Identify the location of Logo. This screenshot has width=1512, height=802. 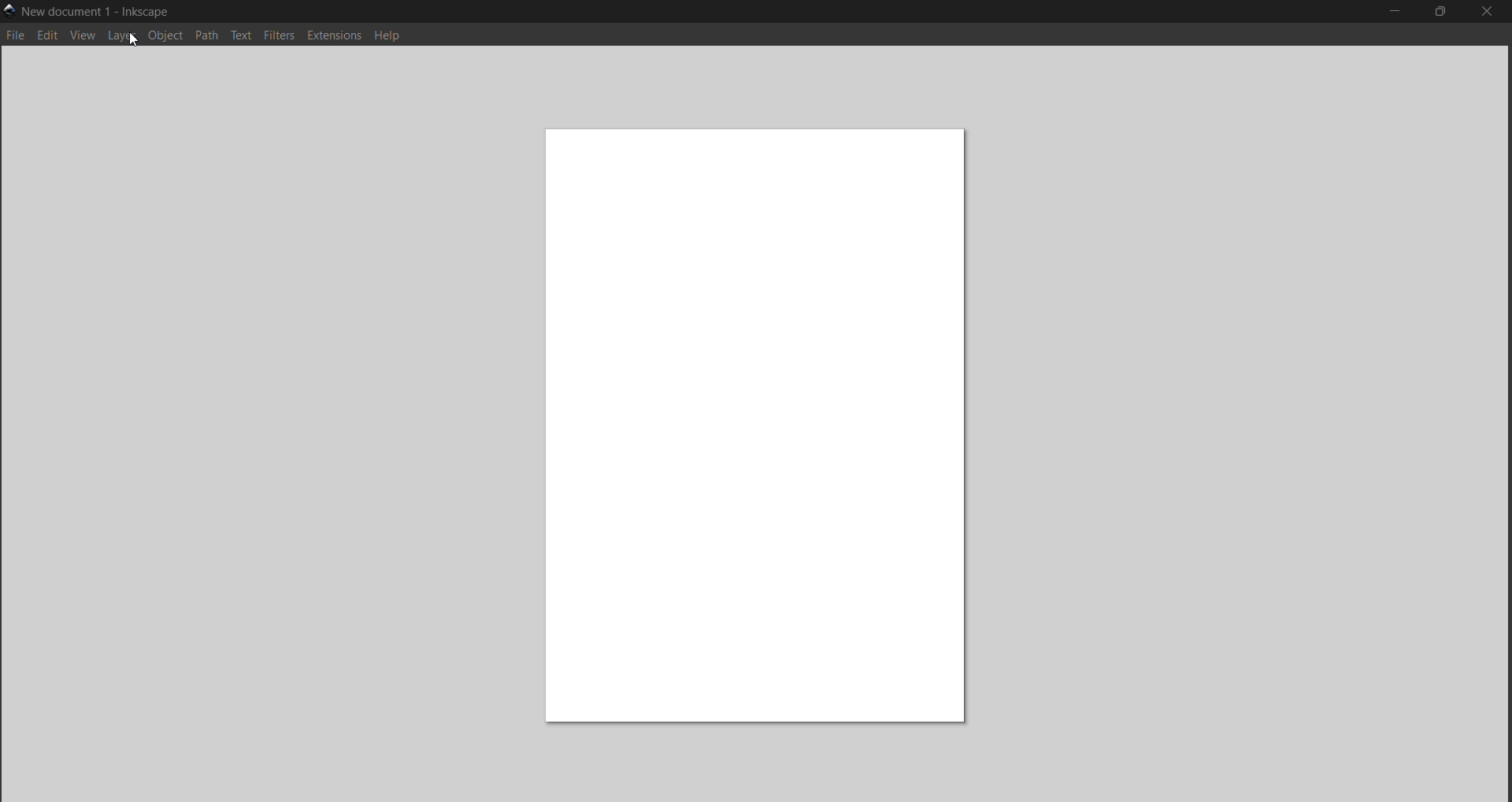
(9, 10).